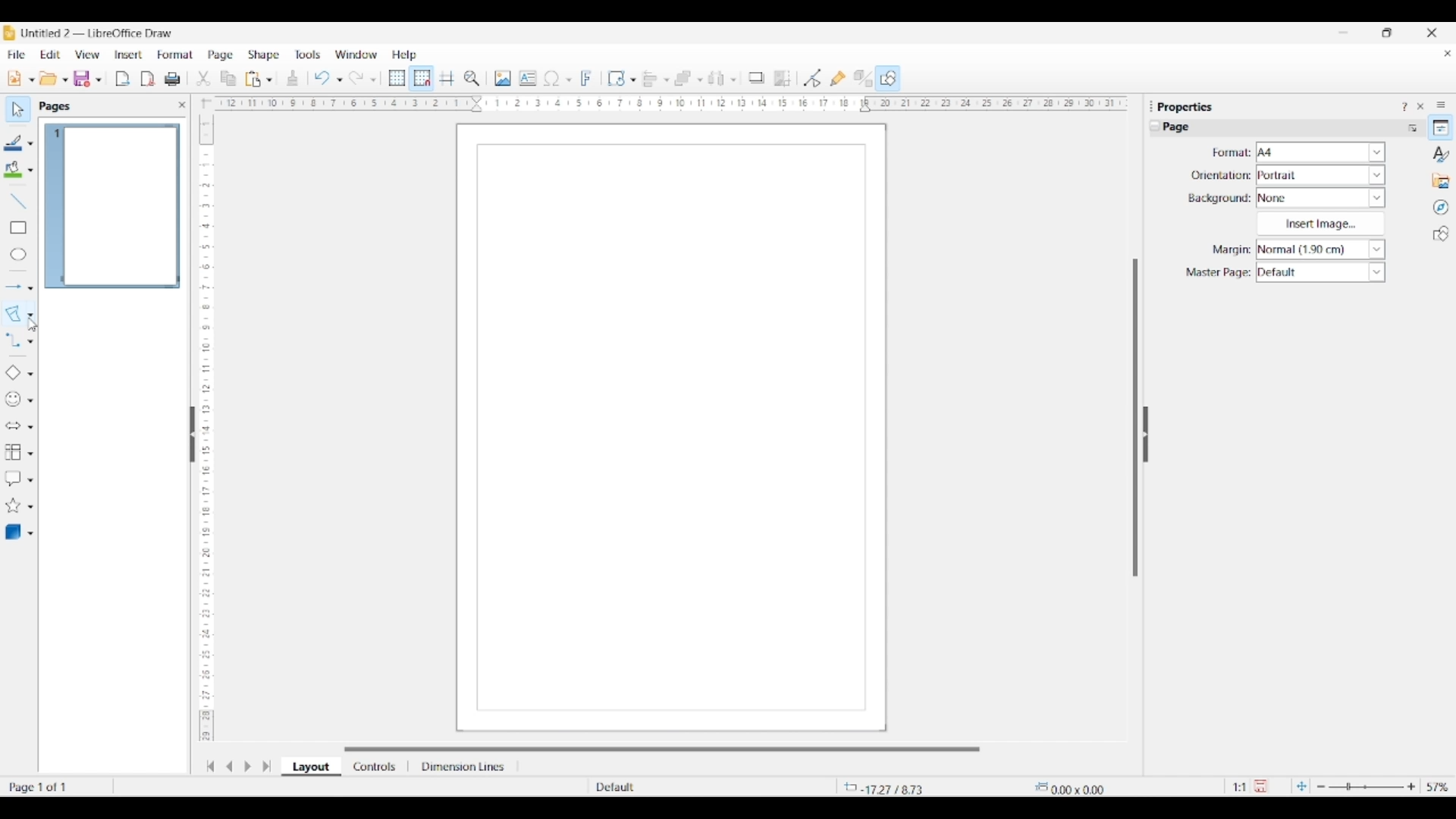 Image resolution: width=1456 pixels, height=819 pixels. What do you see at coordinates (1217, 273) in the screenshot?
I see `Indicates master page settings` at bounding box center [1217, 273].